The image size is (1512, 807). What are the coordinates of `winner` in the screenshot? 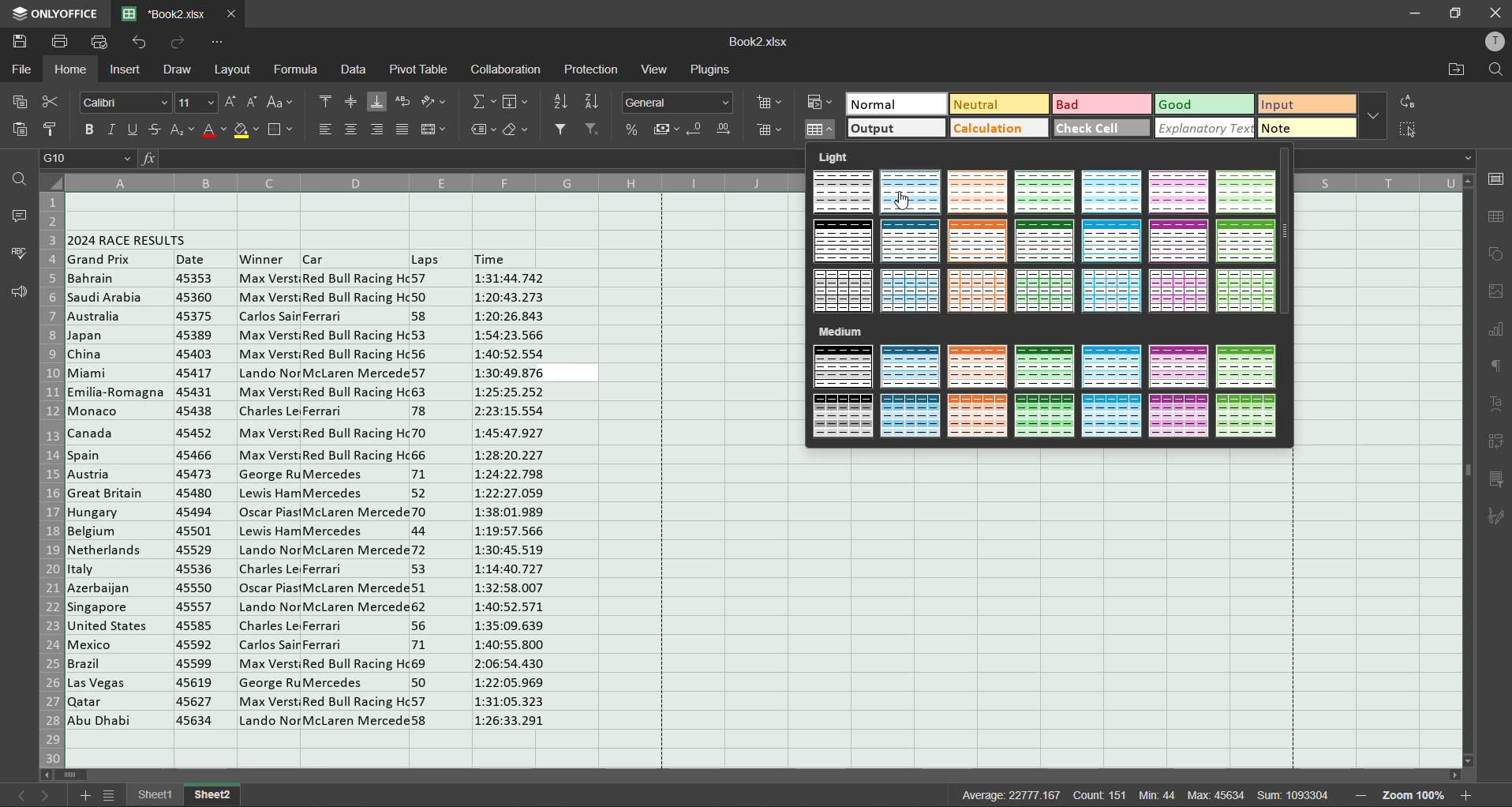 It's located at (264, 259).